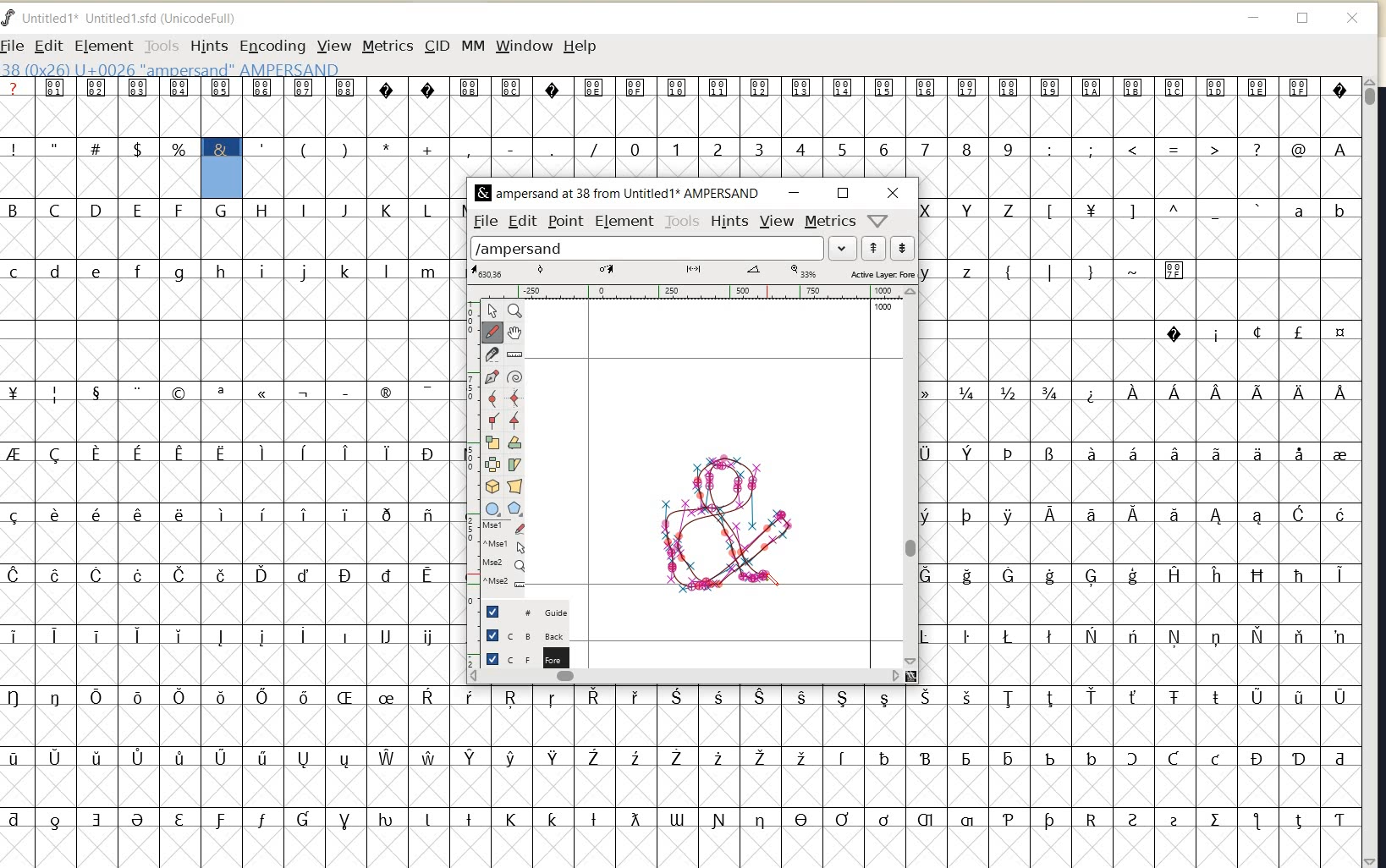  What do you see at coordinates (524, 611) in the screenshot?
I see `GUIDE` at bounding box center [524, 611].